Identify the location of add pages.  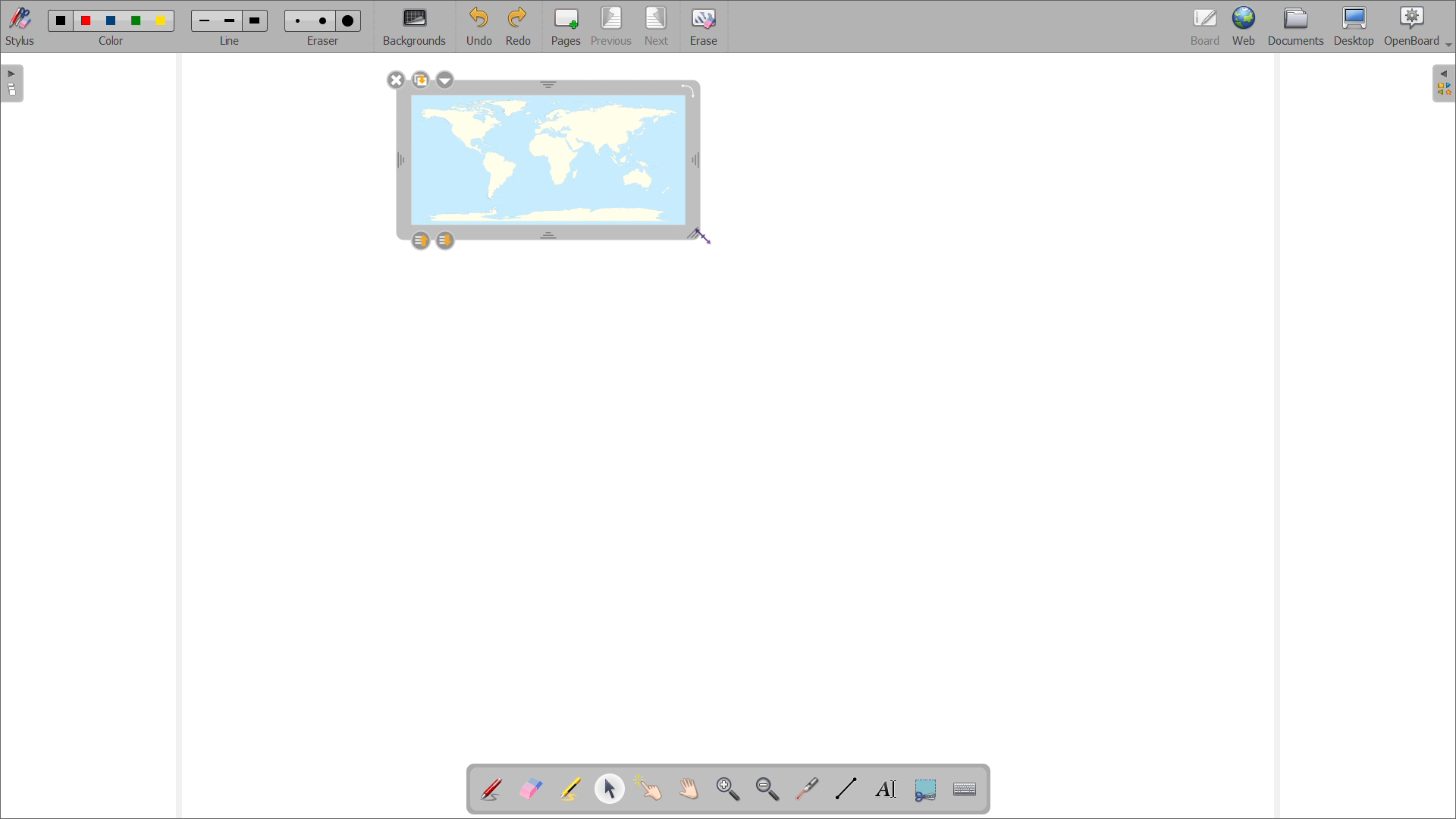
(564, 27).